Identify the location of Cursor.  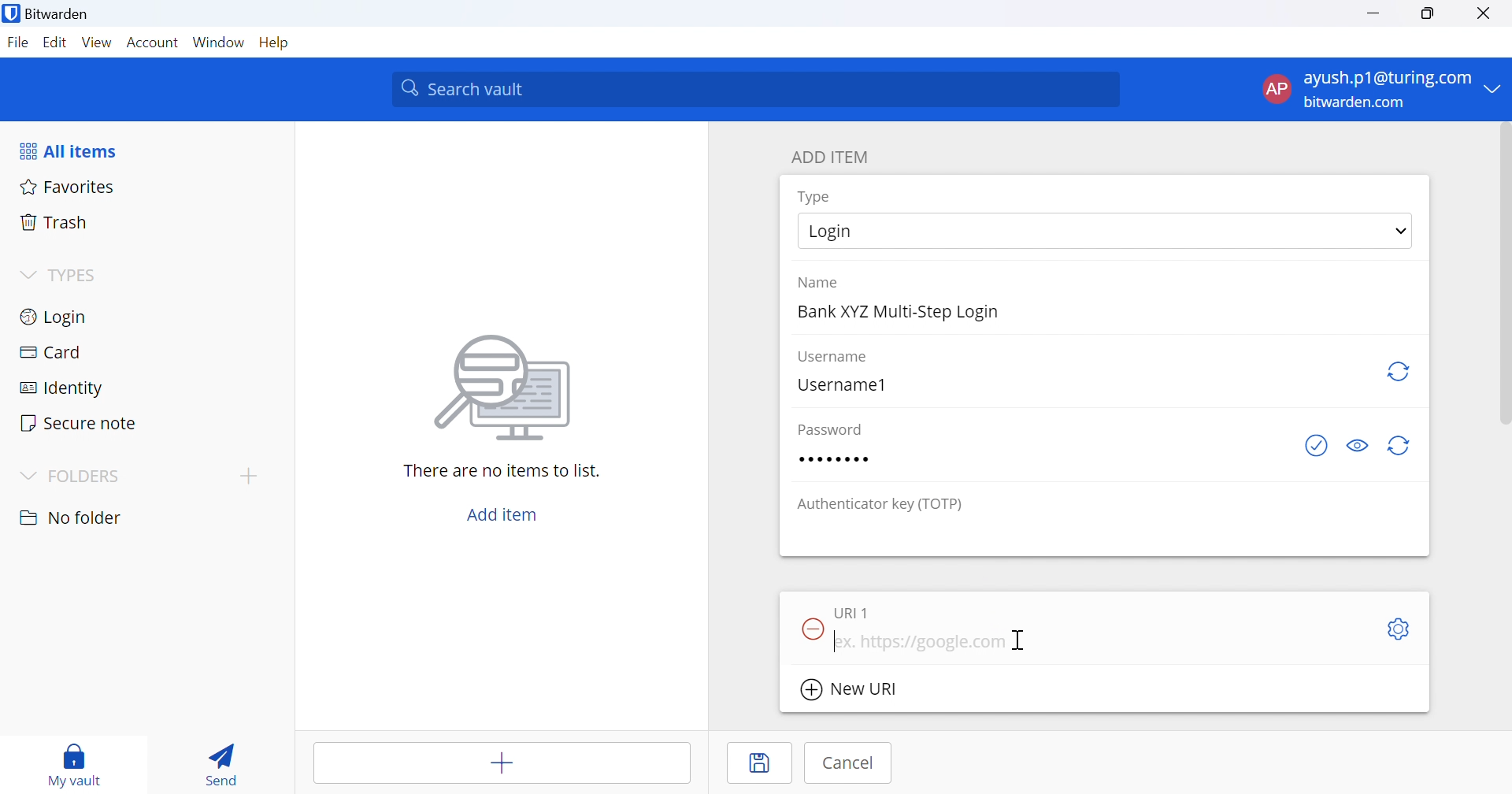
(1014, 639).